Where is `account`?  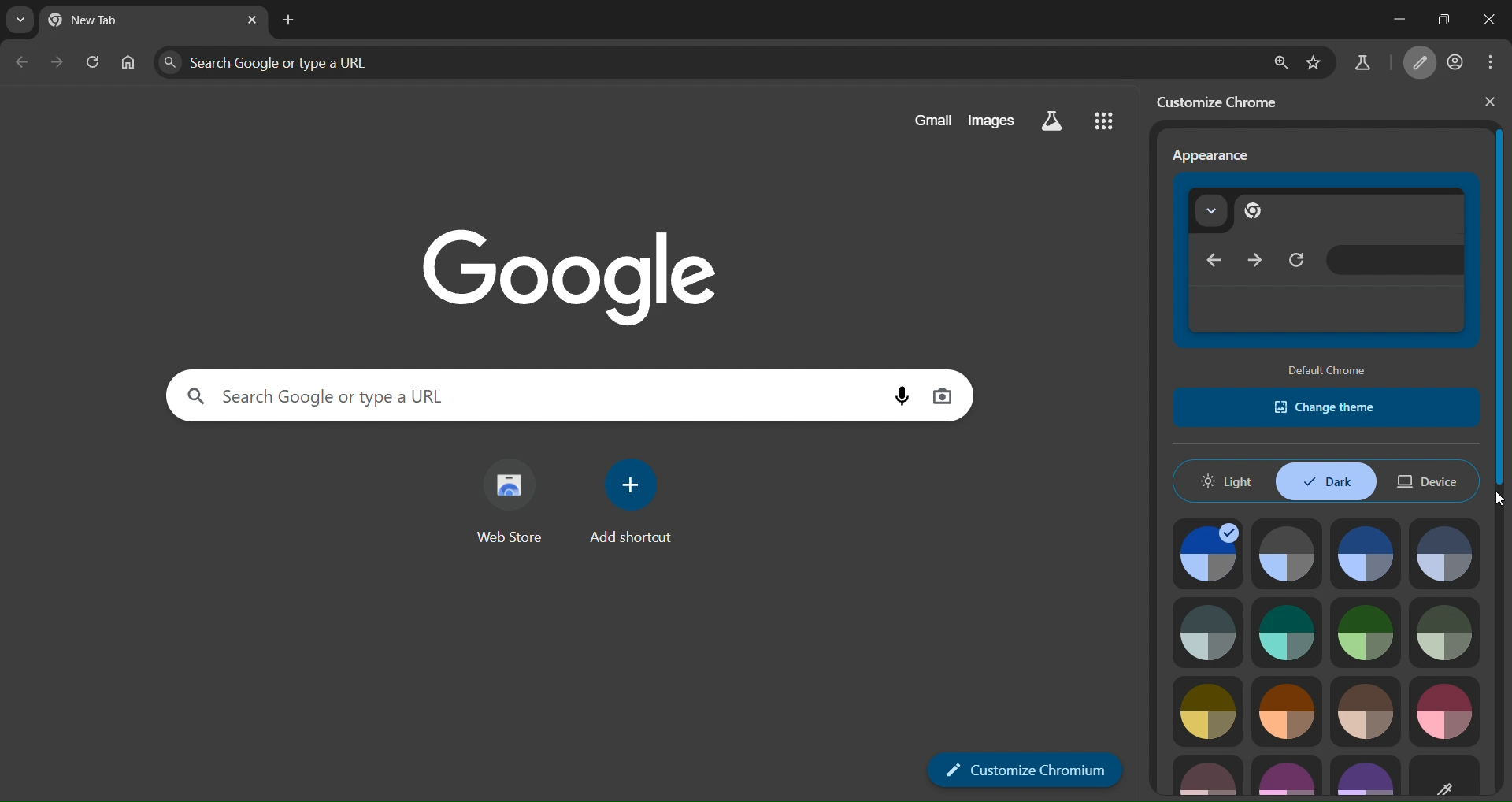
account is located at coordinates (1455, 64).